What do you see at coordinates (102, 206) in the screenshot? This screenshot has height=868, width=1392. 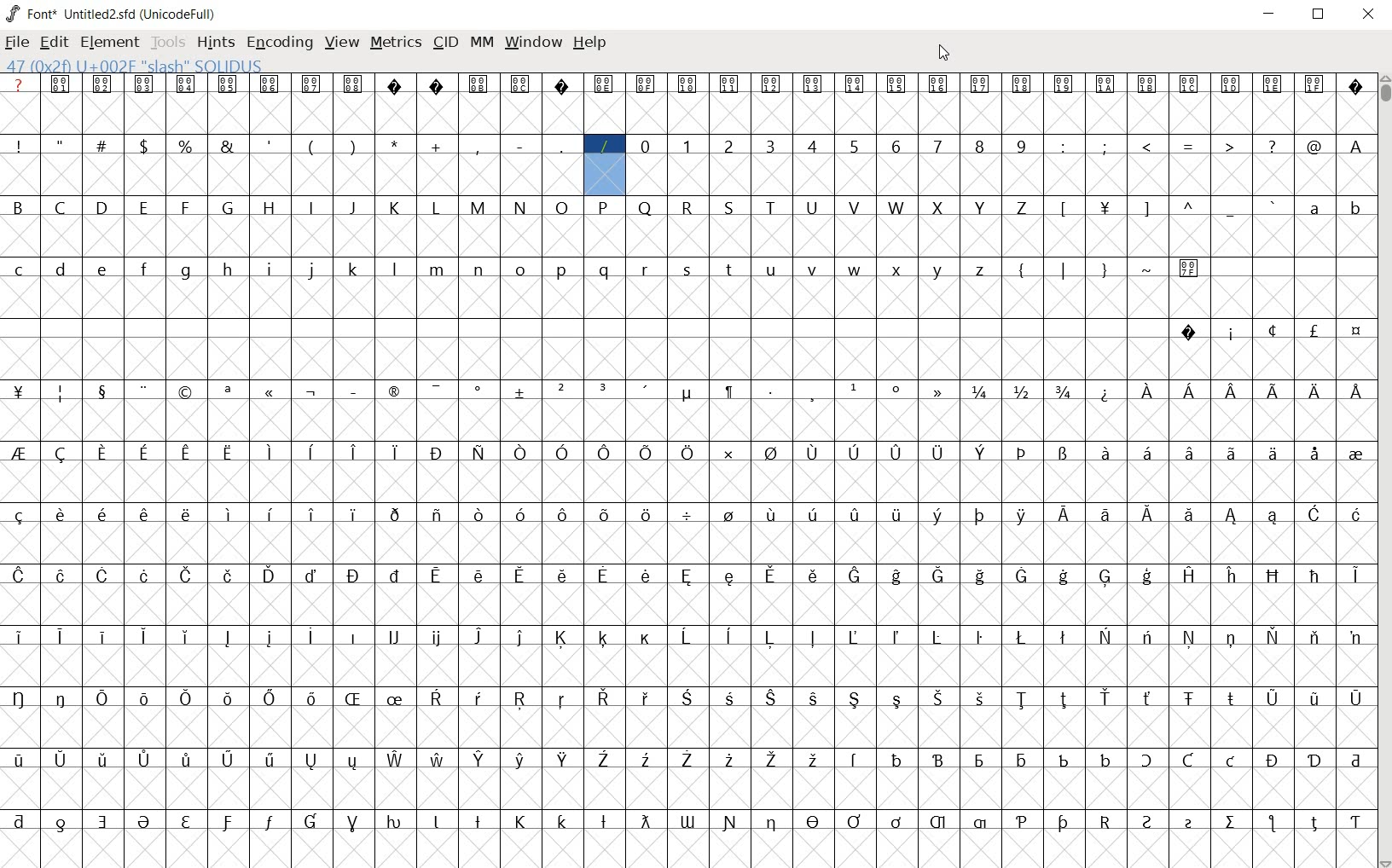 I see `glyph` at bounding box center [102, 206].